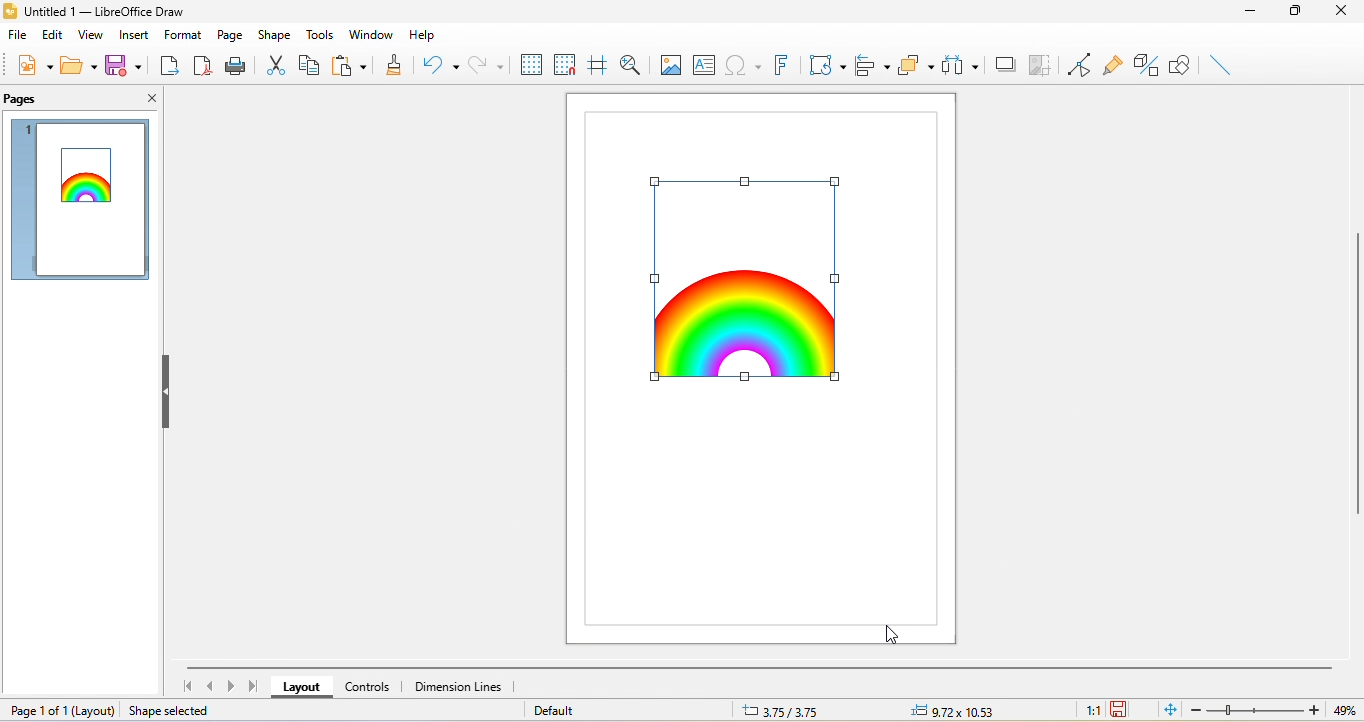  What do you see at coordinates (369, 685) in the screenshot?
I see `controls` at bounding box center [369, 685].